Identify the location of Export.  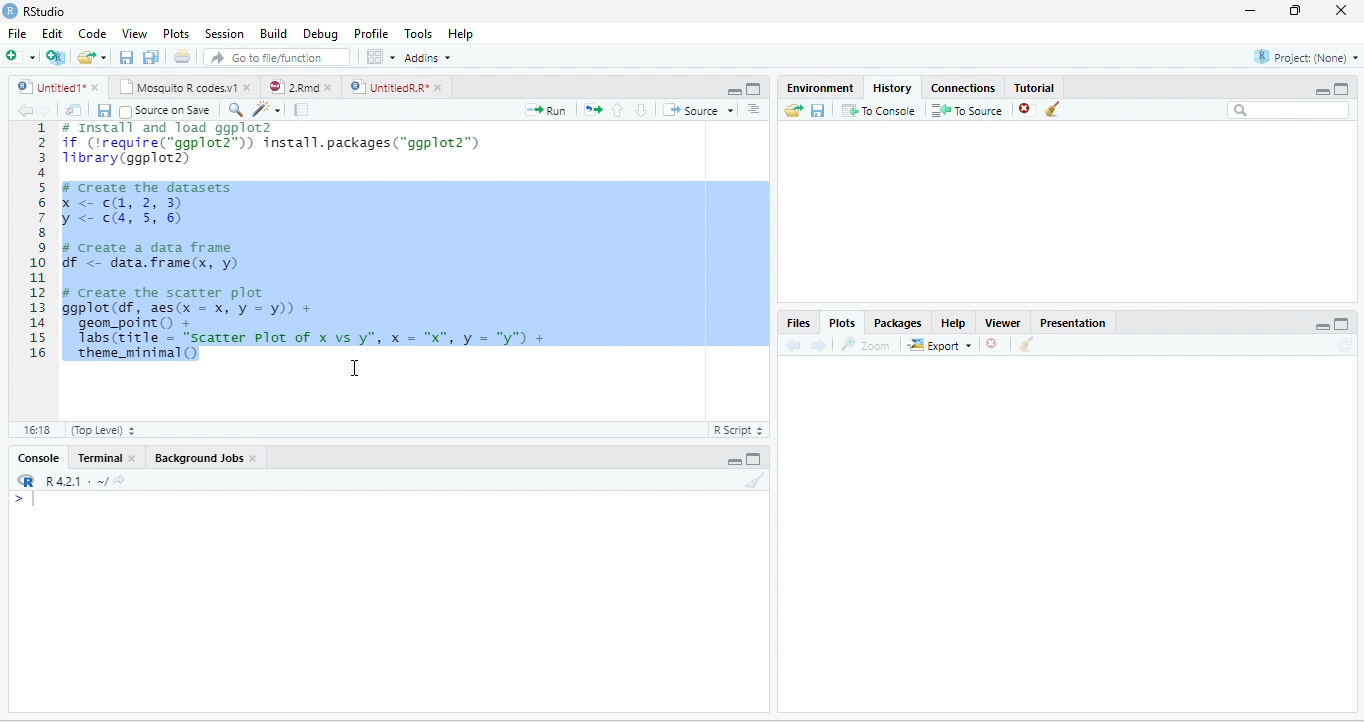
(939, 345).